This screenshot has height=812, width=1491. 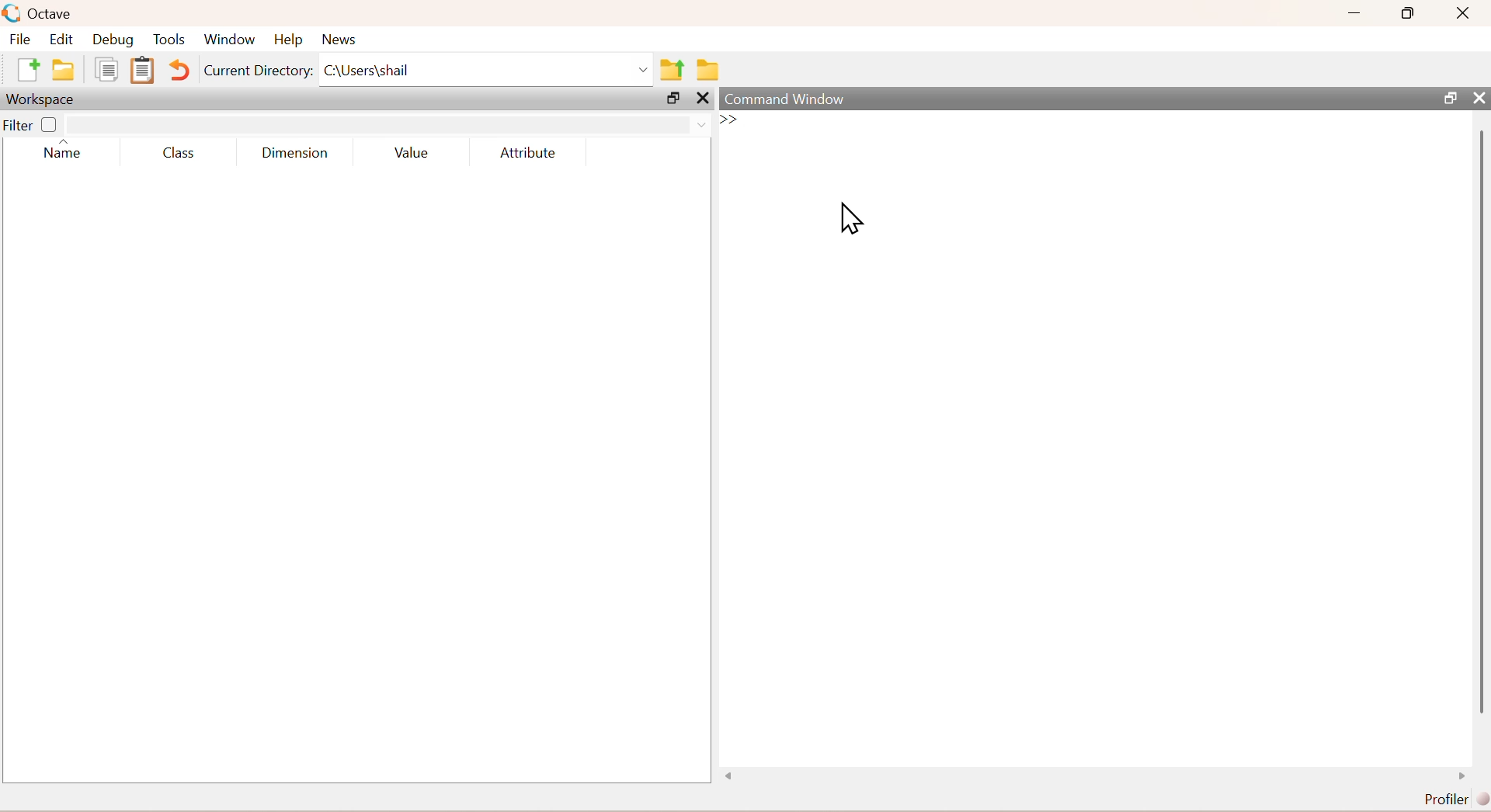 I want to click on share folder, so click(x=673, y=70).